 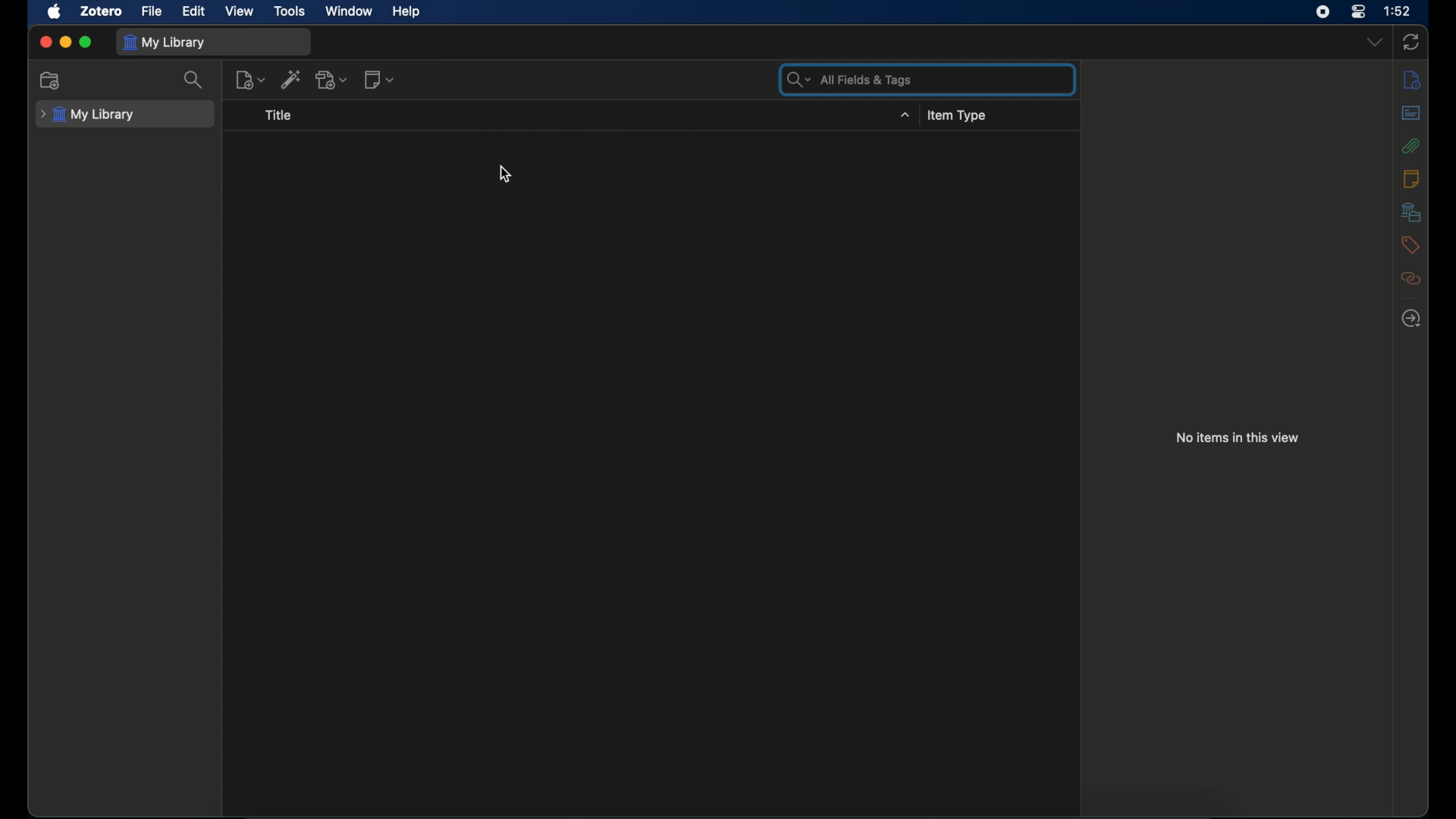 What do you see at coordinates (291, 79) in the screenshot?
I see `add item by identifier` at bounding box center [291, 79].